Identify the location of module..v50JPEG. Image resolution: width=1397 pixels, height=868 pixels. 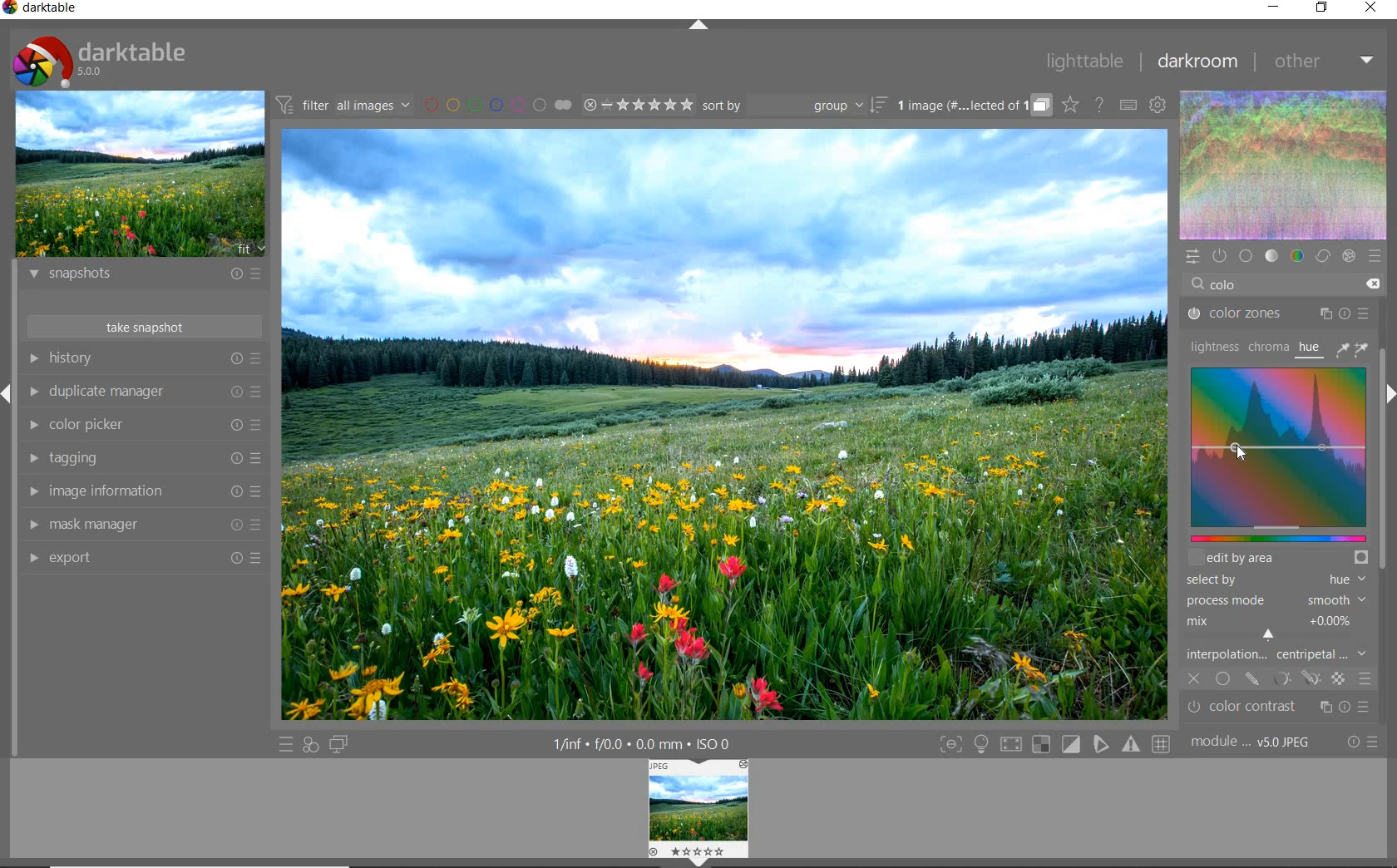
(1255, 742).